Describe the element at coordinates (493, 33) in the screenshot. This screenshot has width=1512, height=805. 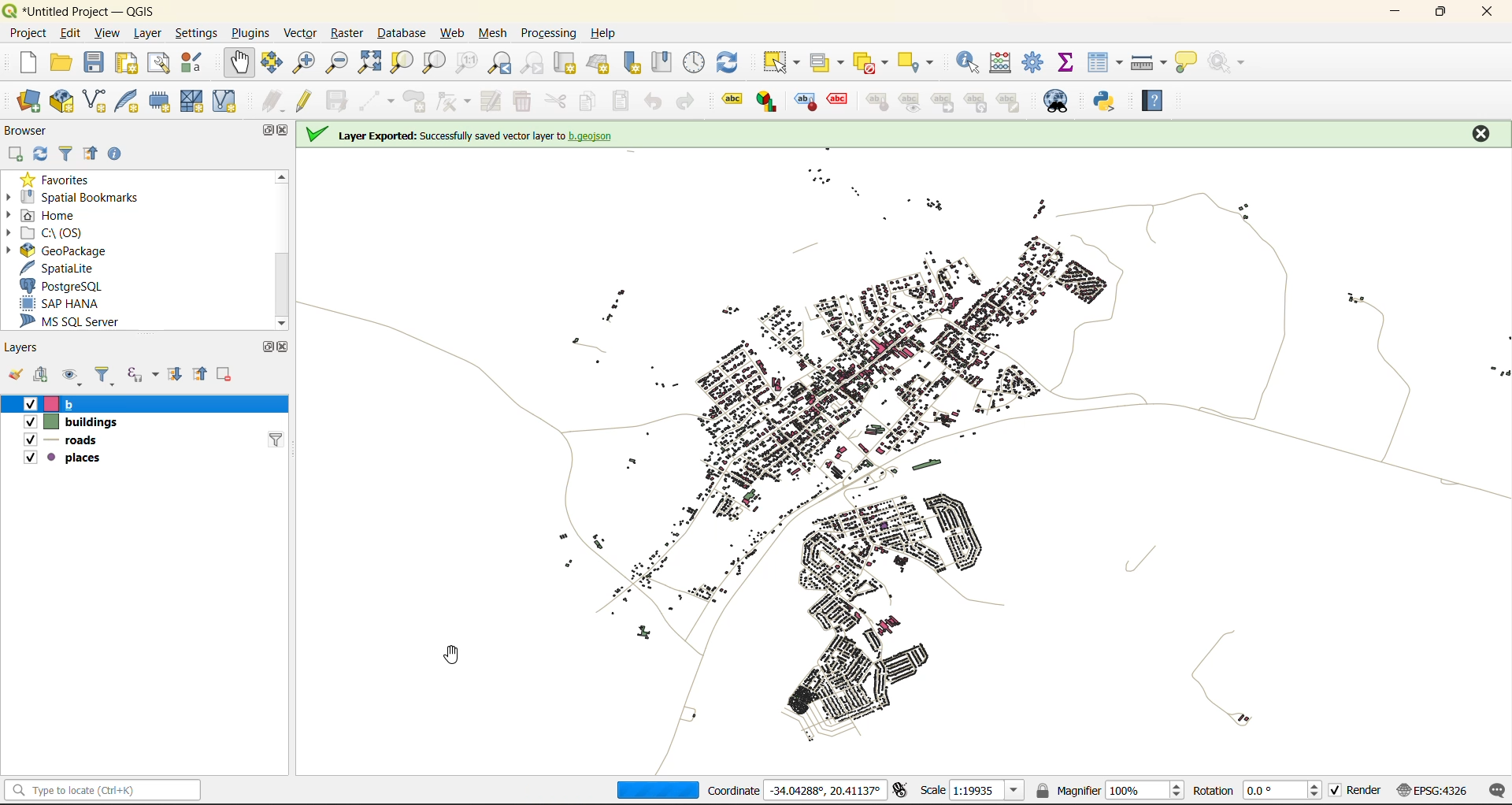
I see `mesh` at that location.